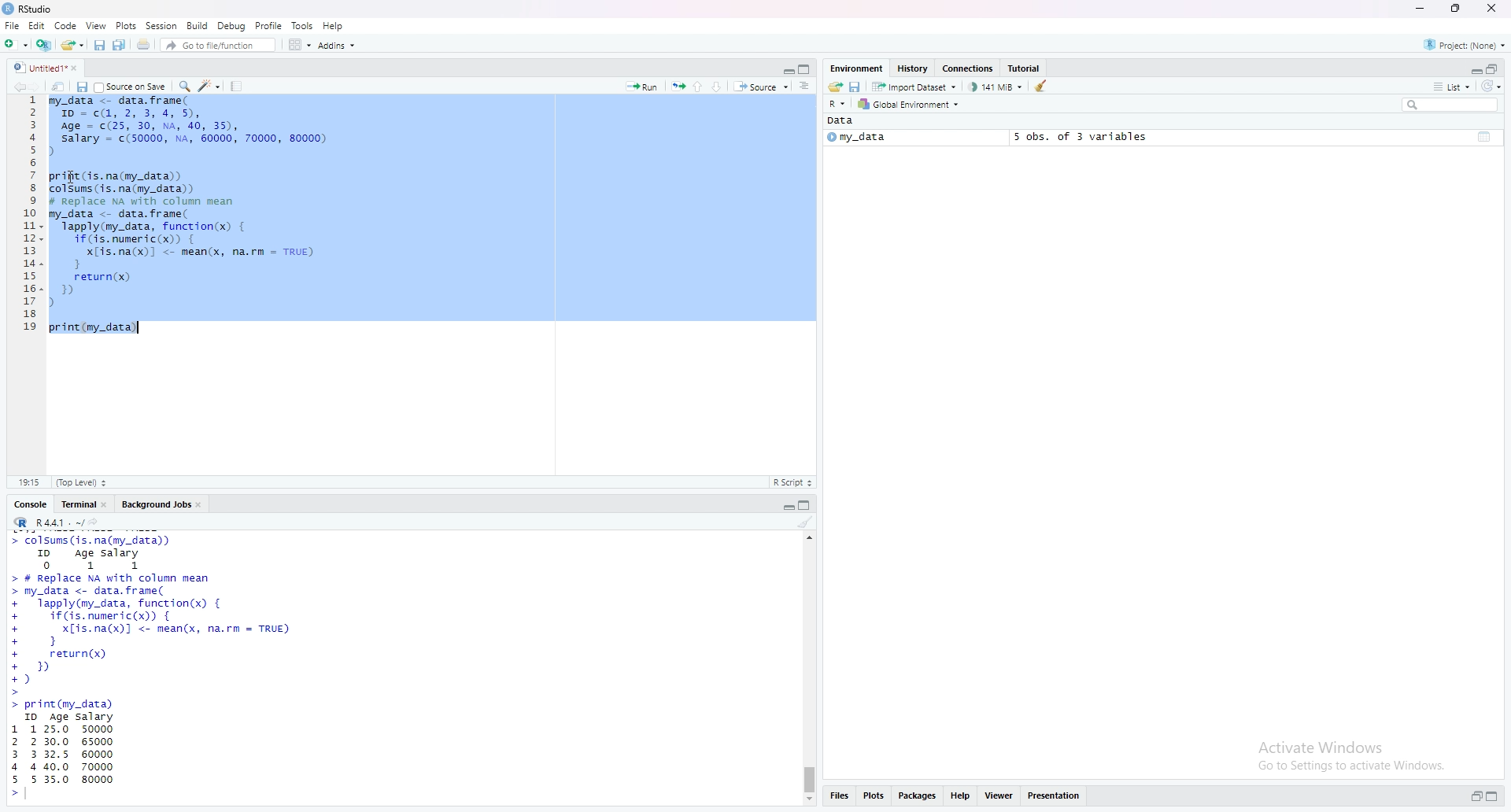 The image size is (1511, 812). Describe the element at coordinates (81, 87) in the screenshot. I see `save current document` at that location.